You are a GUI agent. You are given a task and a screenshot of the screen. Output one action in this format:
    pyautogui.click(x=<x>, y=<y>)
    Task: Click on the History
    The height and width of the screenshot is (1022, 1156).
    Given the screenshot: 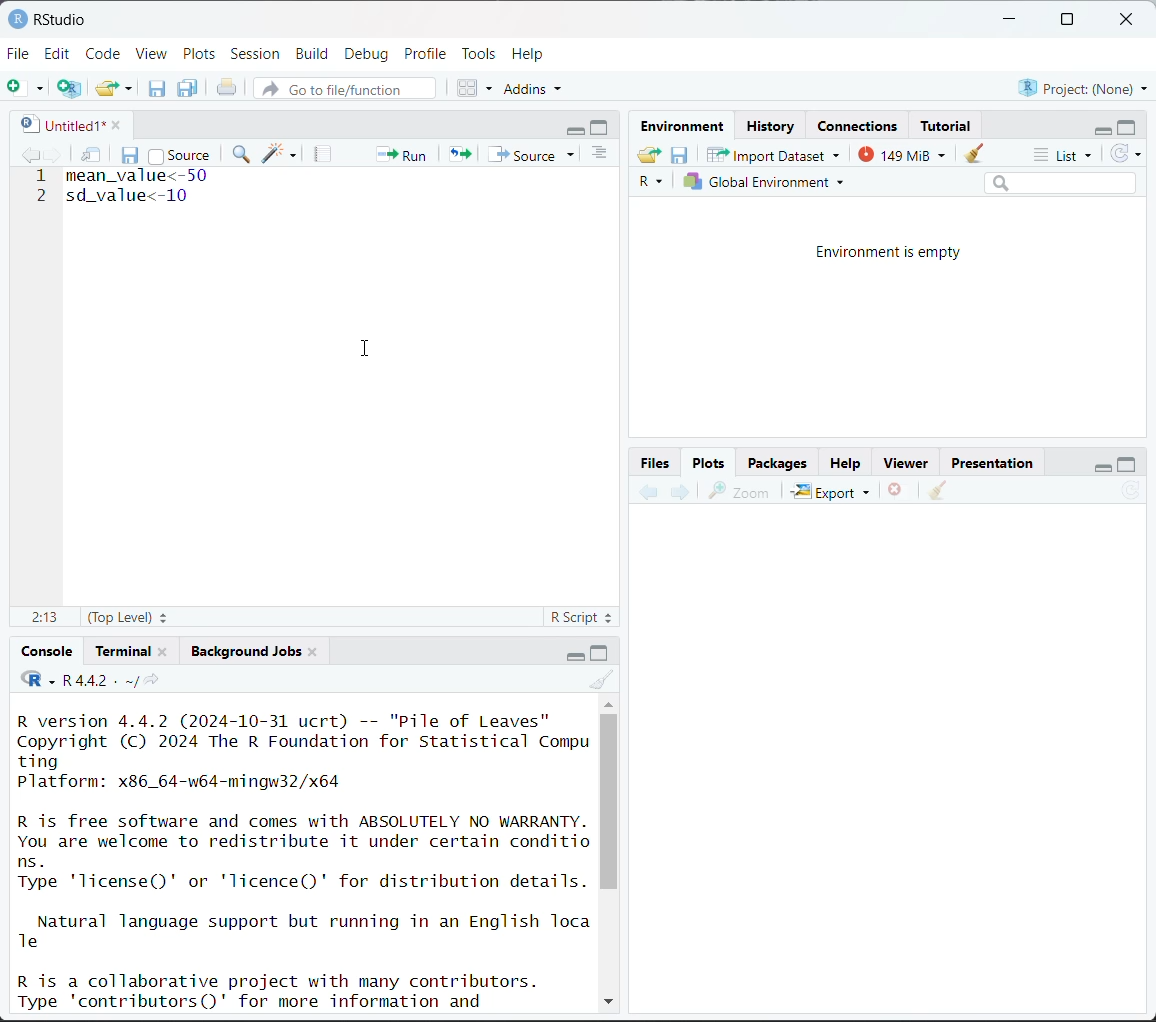 What is the action you would take?
    pyautogui.click(x=772, y=126)
    